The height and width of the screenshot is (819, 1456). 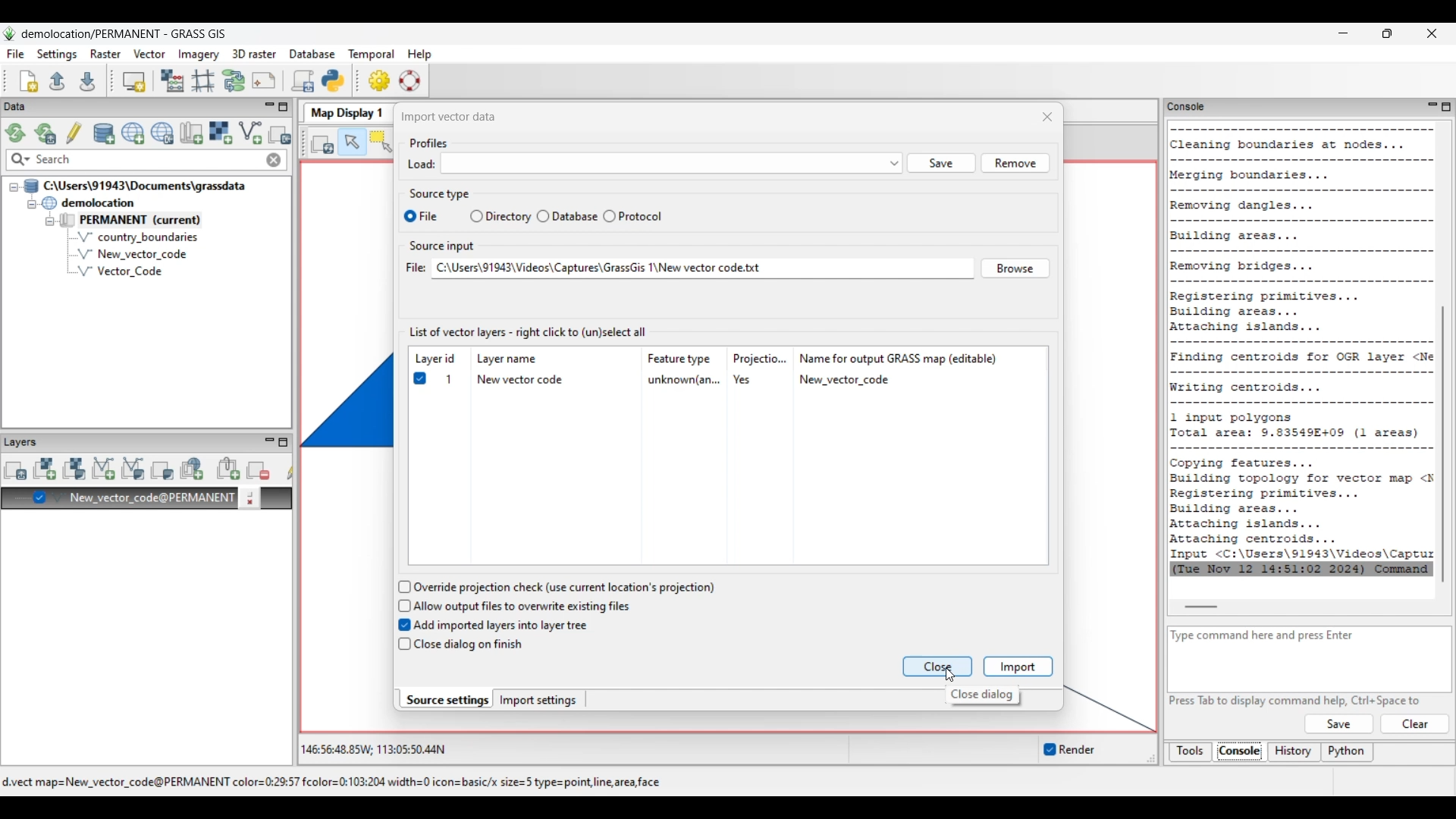 What do you see at coordinates (269, 108) in the screenshot?
I see `Minimize Data menu` at bounding box center [269, 108].